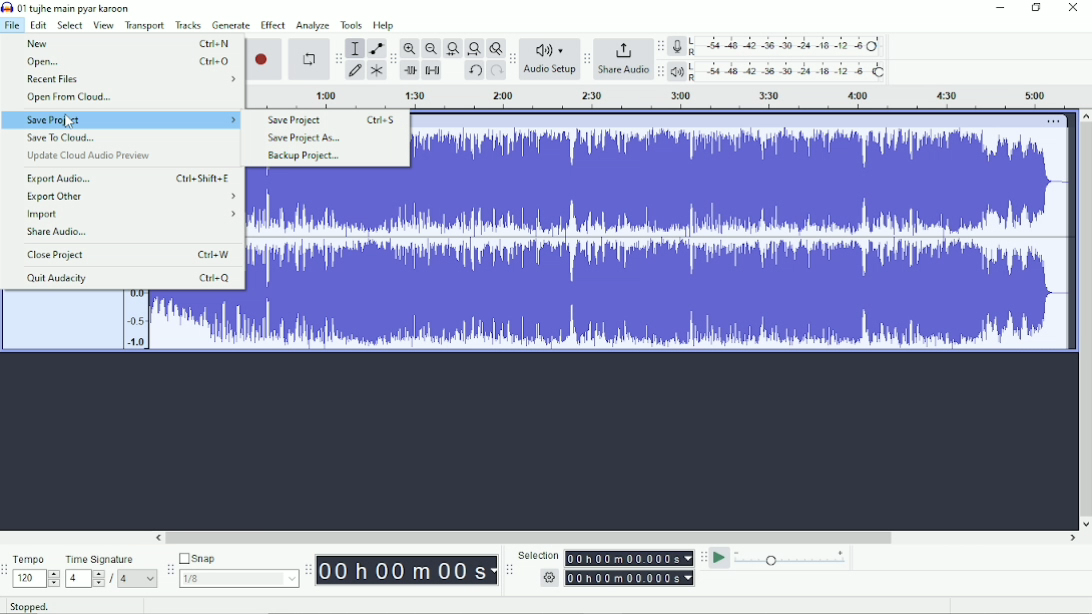 This screenshot has height=614, width=1092. What do you see at coordinates (128, 60) in the screenshot?
I see `Open` at bounding box center [128, 60].